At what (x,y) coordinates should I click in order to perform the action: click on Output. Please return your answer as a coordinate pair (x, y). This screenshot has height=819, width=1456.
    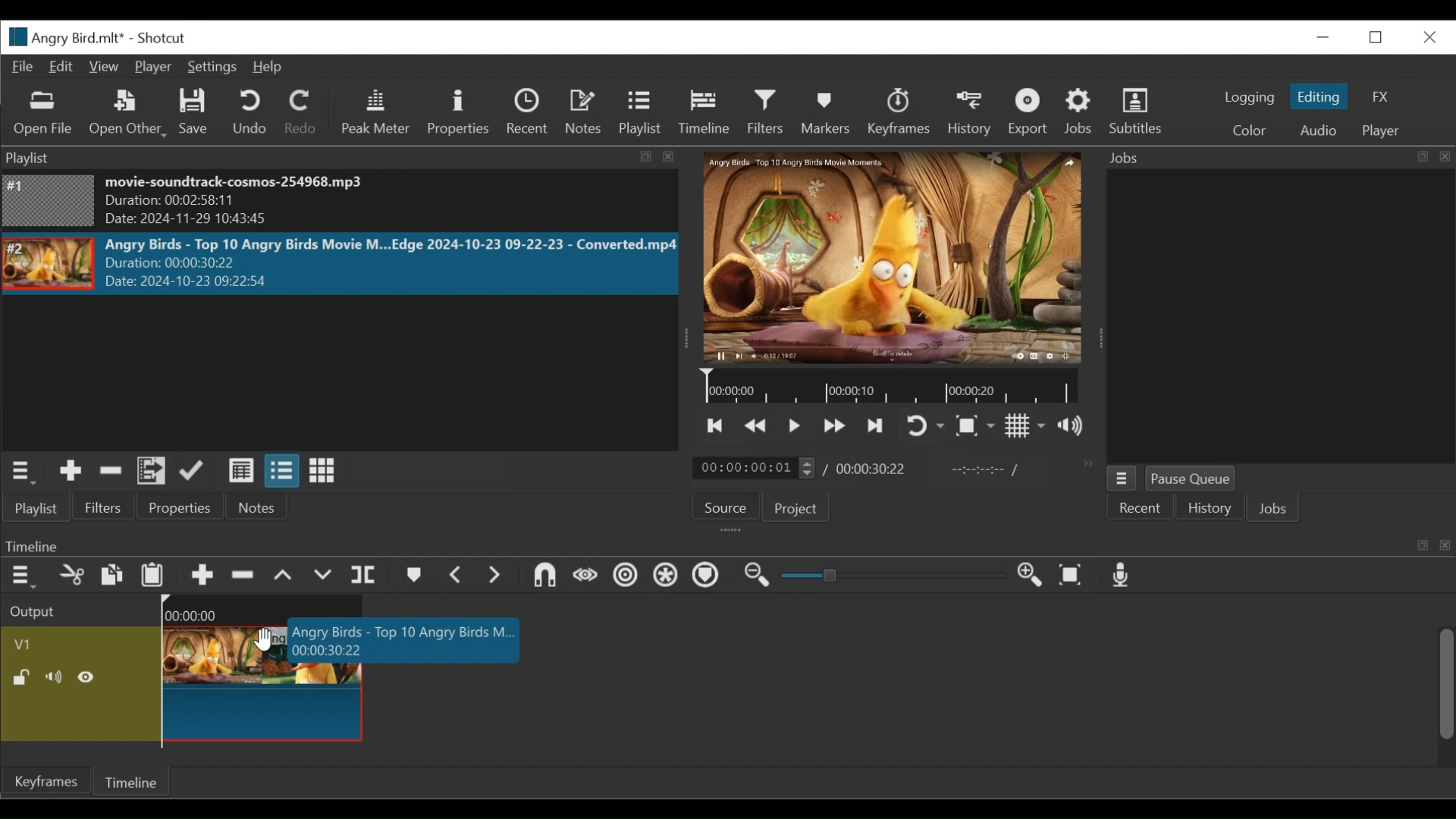
    Looking at the image, I should click on (78, 610).